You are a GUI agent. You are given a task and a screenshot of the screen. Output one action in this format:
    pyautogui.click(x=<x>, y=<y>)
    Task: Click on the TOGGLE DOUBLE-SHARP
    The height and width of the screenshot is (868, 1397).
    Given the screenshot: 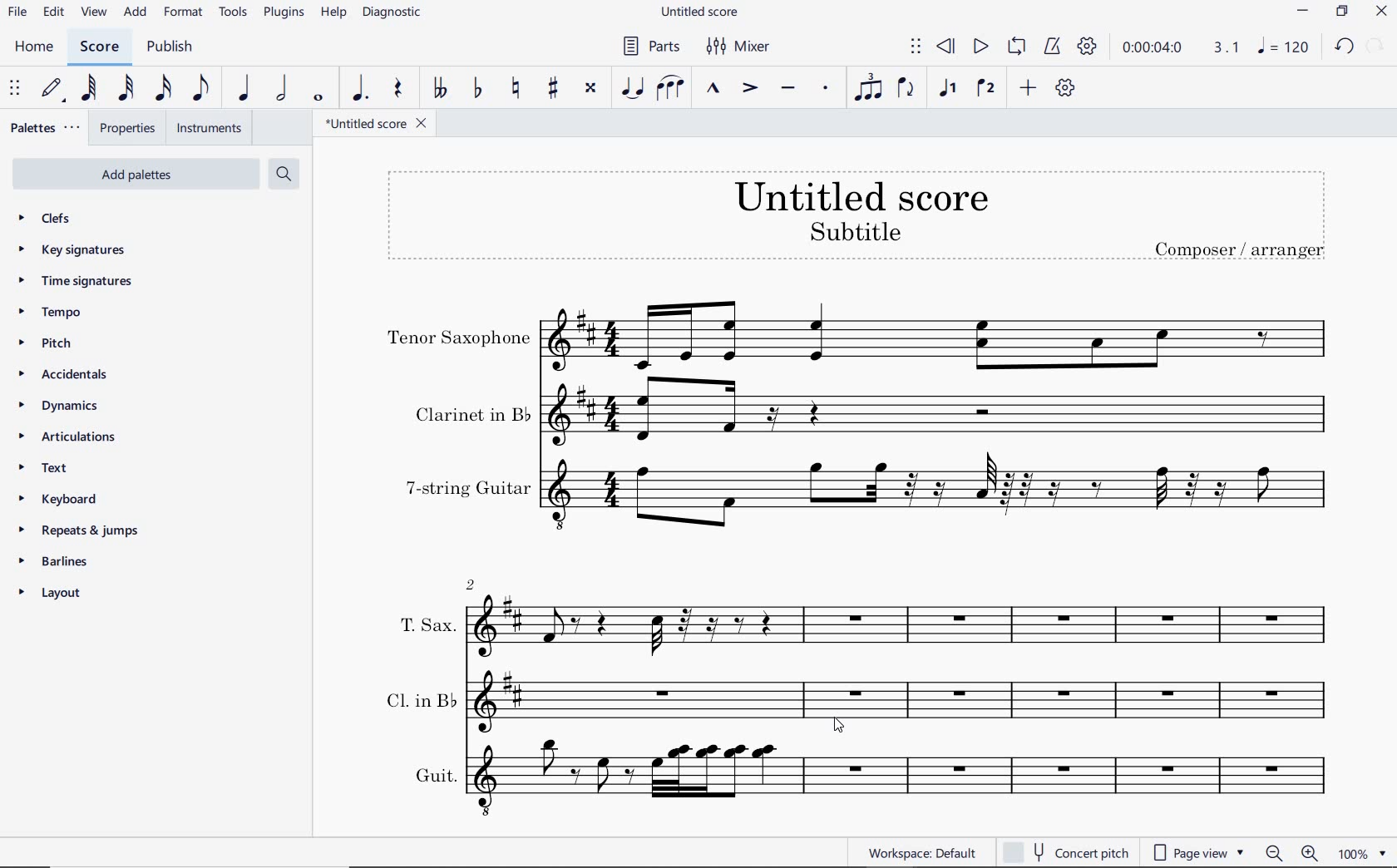 What is the action you would take?
    pyautogui.click(x=590, y=91)
    